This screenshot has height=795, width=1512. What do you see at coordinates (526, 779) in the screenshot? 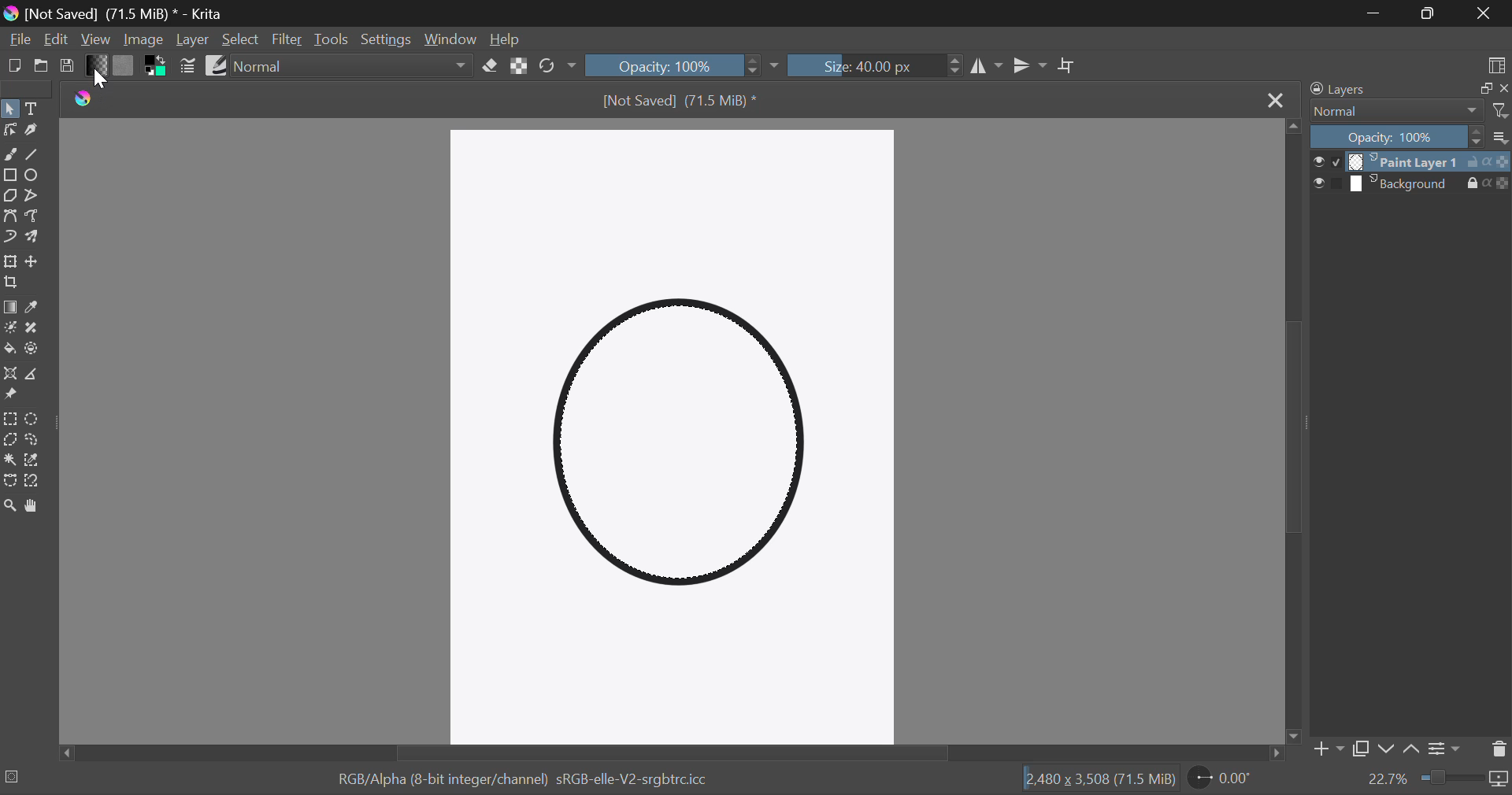
I see `RGB/Alpha (8-bit integer/channel) sRGB-elle-V2-srgbtrc.icc` at bounding box center [526, 779].